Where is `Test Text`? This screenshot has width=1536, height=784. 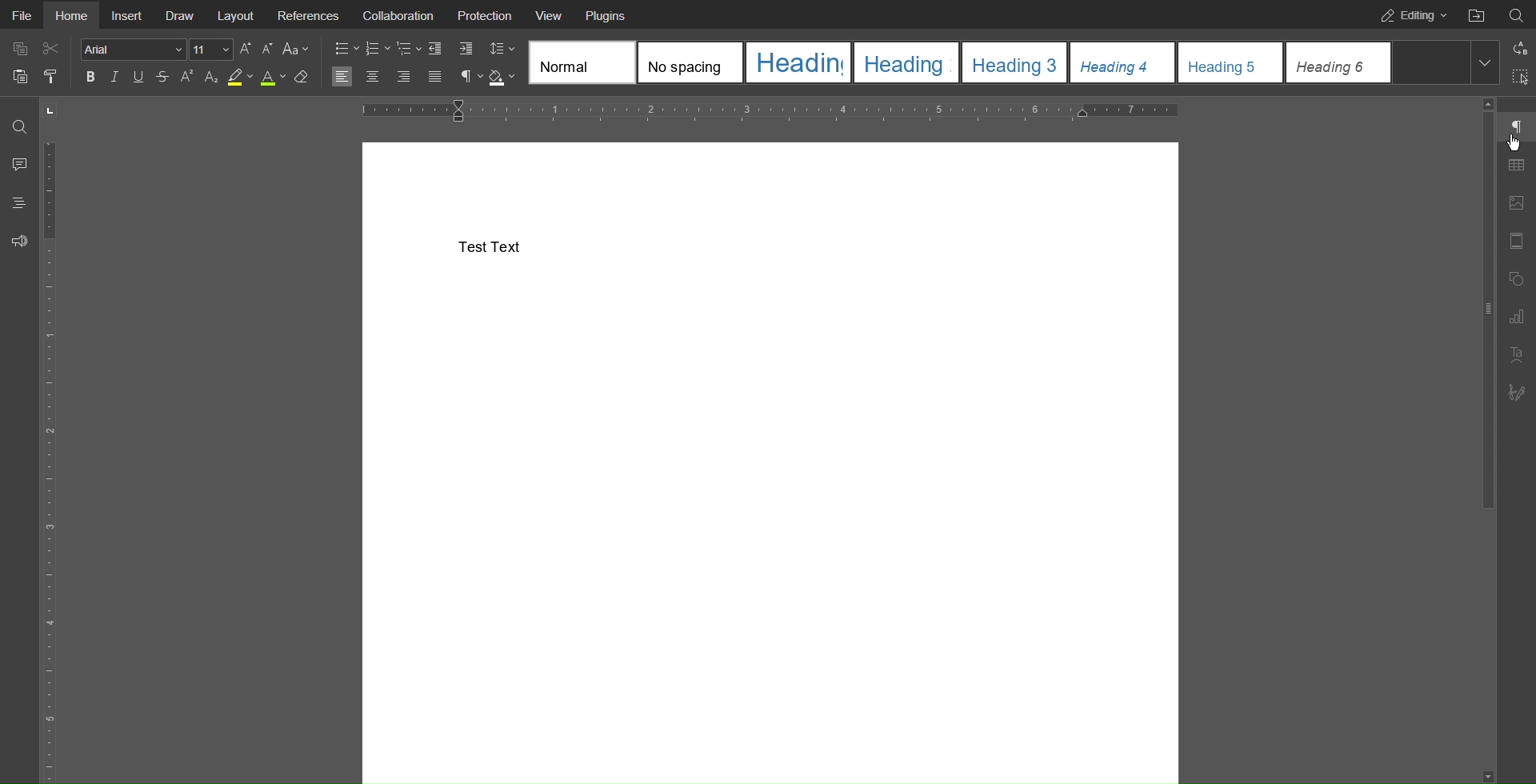
Test Text is located at coordinates (491, 246).